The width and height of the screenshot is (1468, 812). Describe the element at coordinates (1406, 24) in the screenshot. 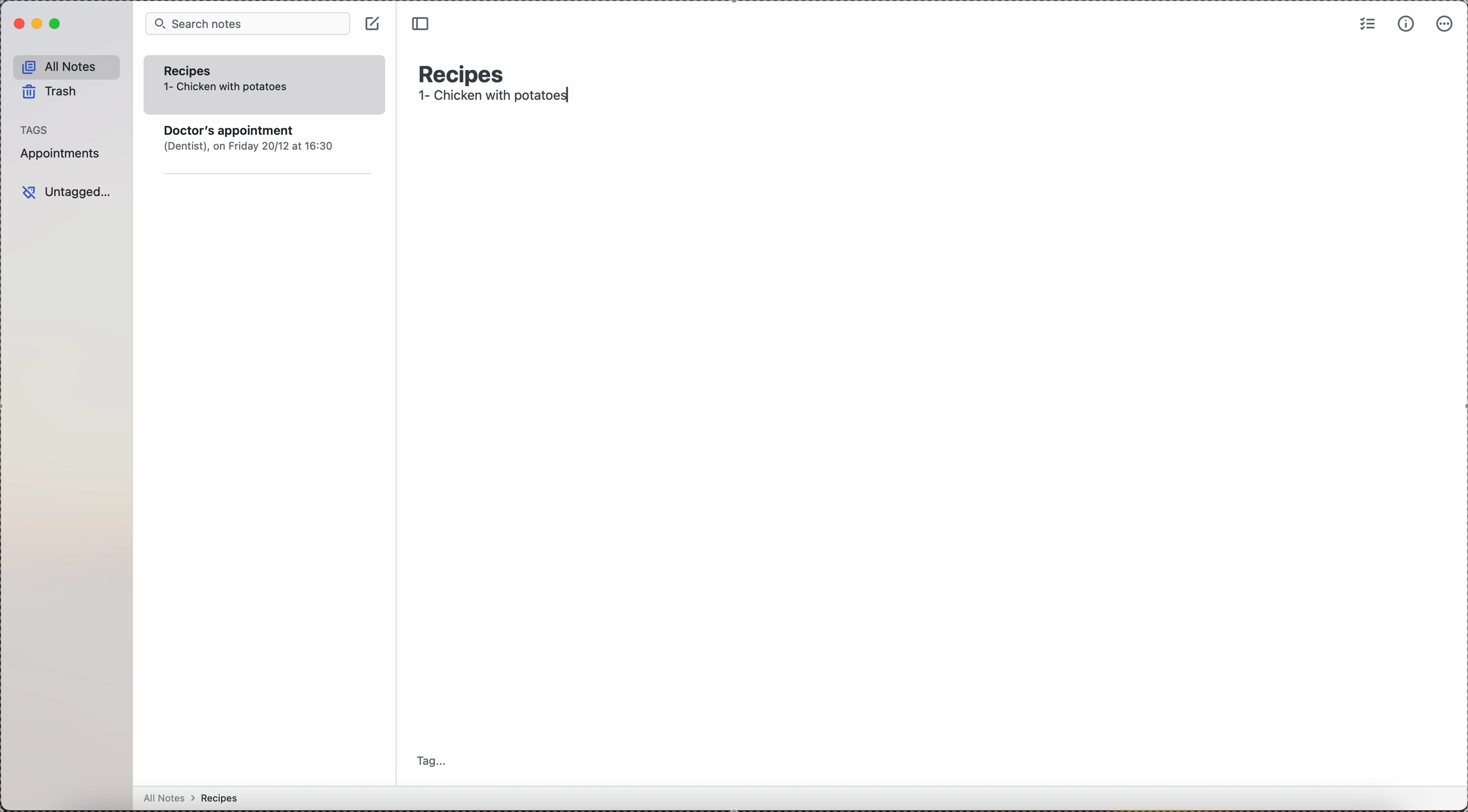

I see `metrics` at that location.